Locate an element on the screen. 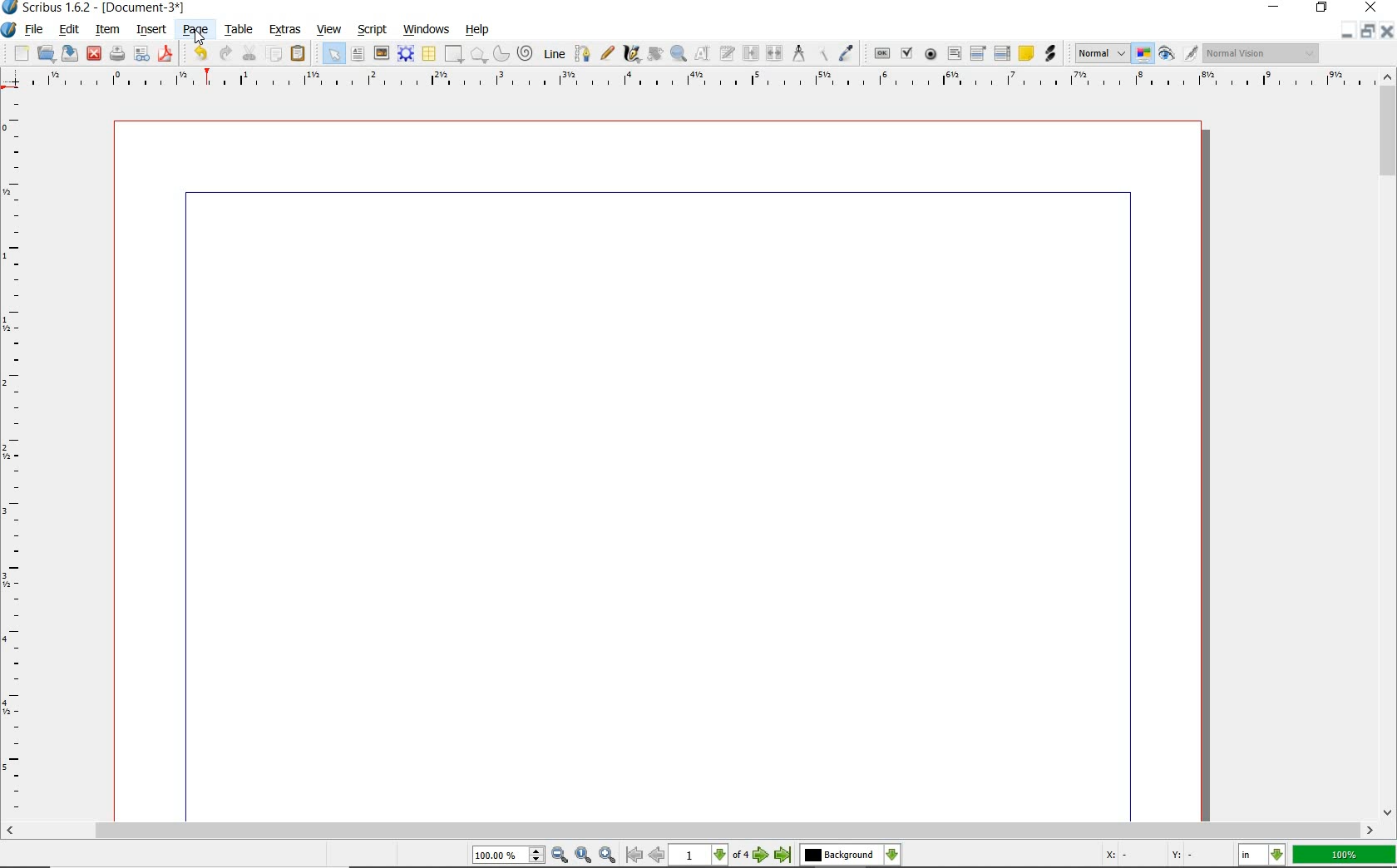  undo is located at coordinates (197, 53).